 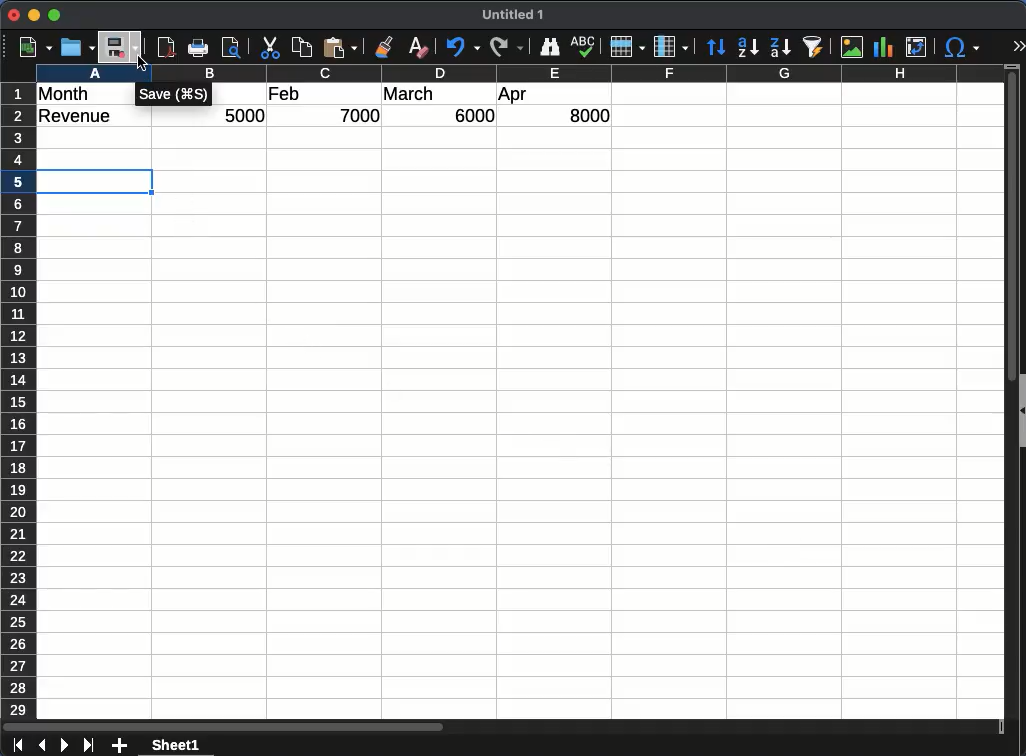 I want to click on collapse, so click(x=1020, y=408).